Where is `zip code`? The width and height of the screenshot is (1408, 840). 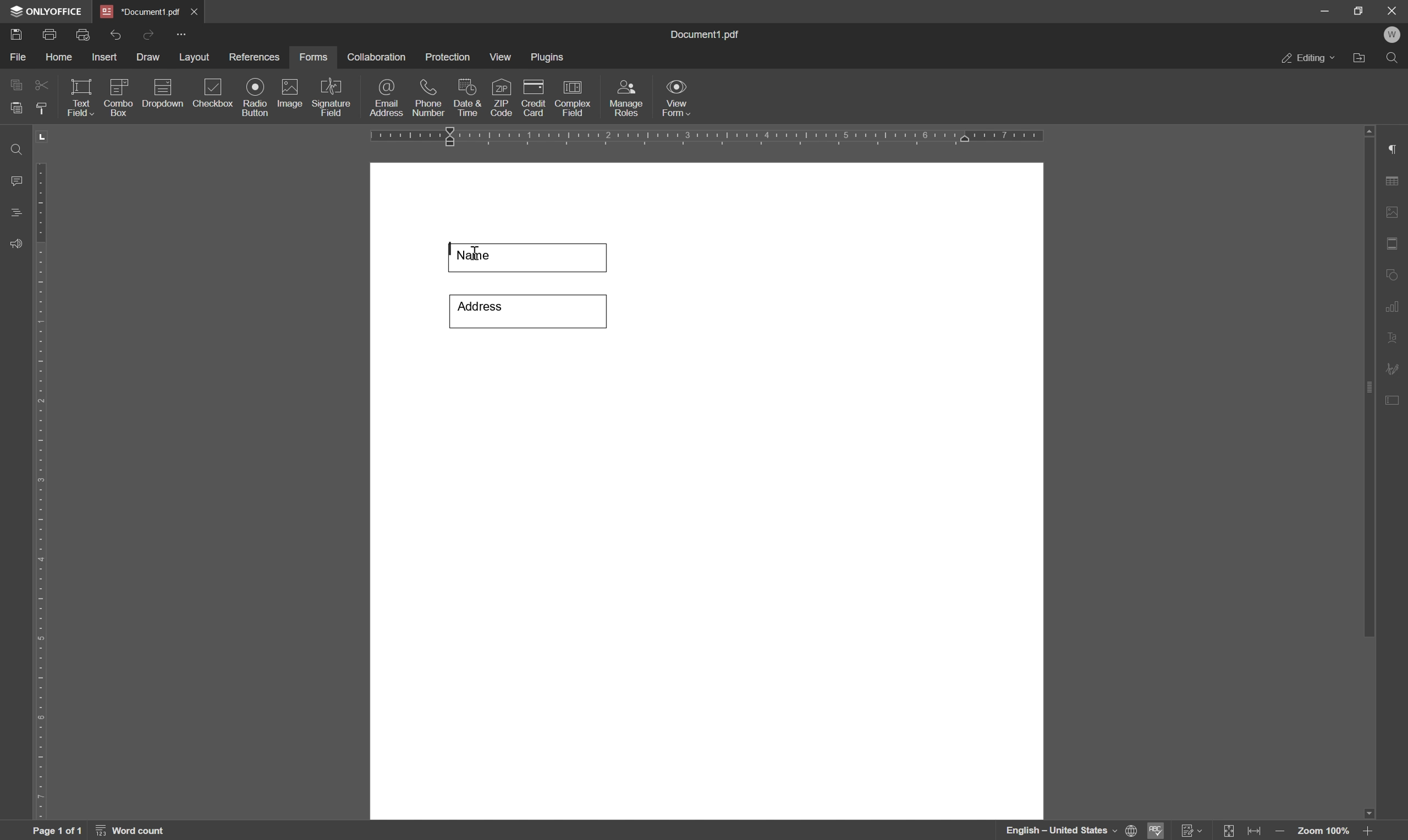
zip code is located at coordinates (500, 98).